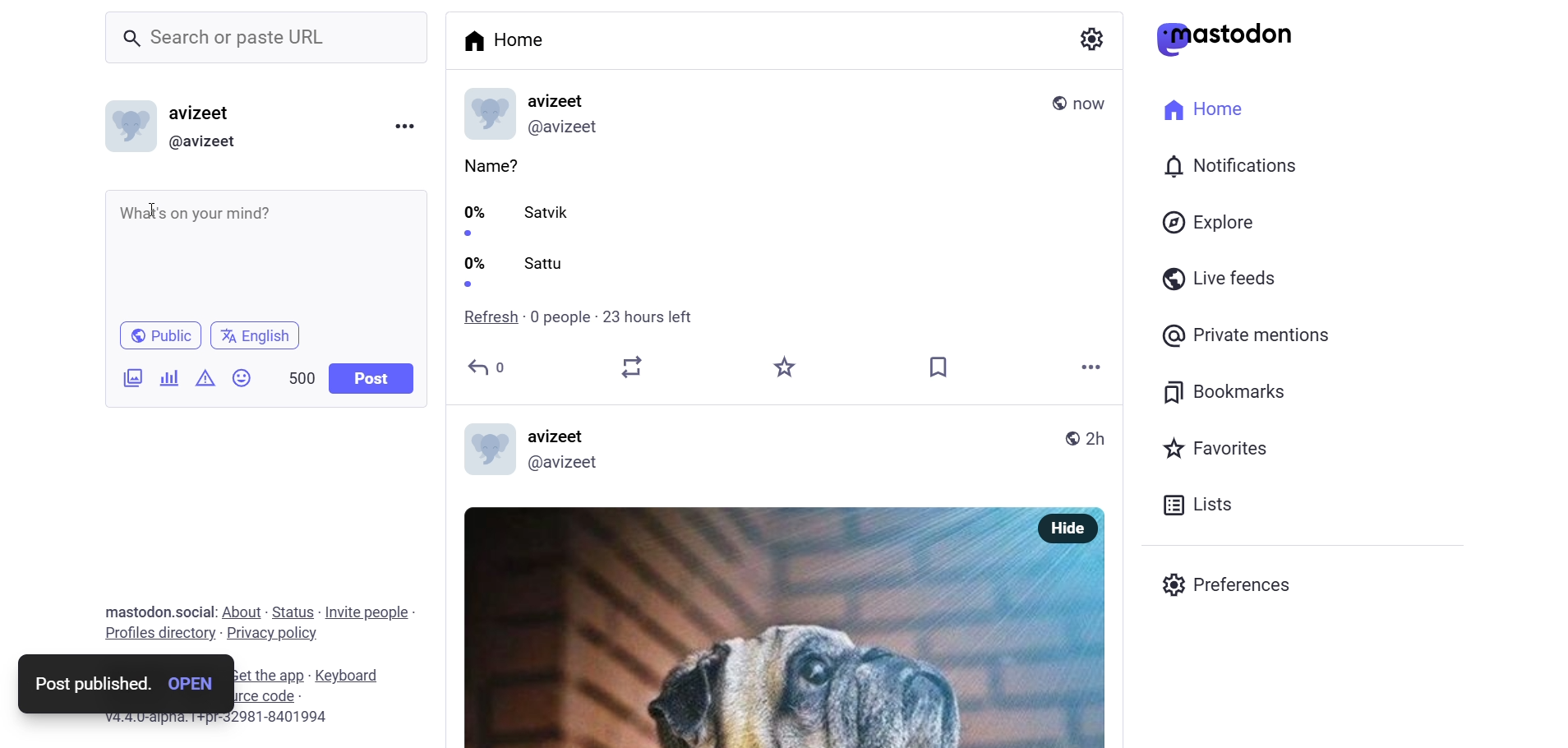 This screenshot has width=1568, height=748. I want to click on invite people, so click(371, 612).